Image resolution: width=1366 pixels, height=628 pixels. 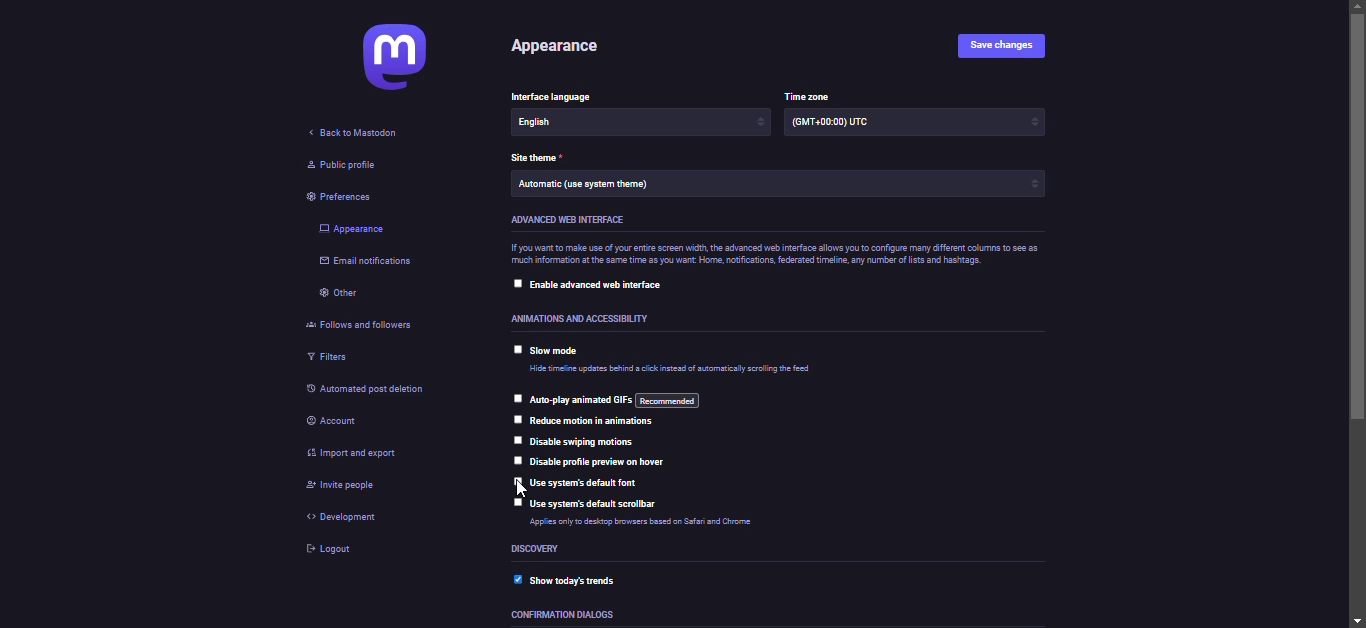 What do you see at coordinates (550, 95) in the screenshot?
I see `language` at bounding box center [550, 95].